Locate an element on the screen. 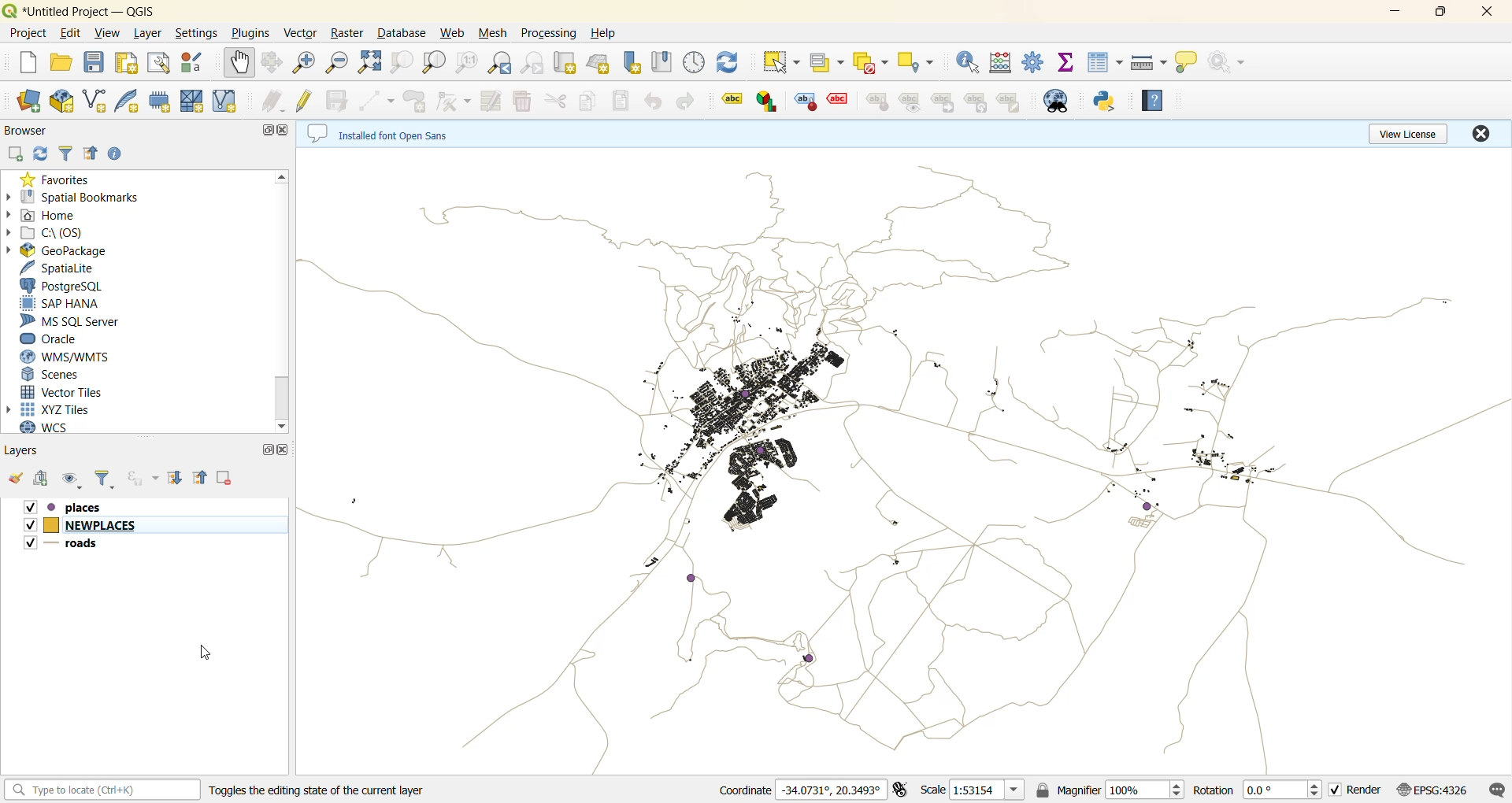 Image resolution: width=1512 pixels, height=803 pixels. close is located at coordinates (1486, 13).